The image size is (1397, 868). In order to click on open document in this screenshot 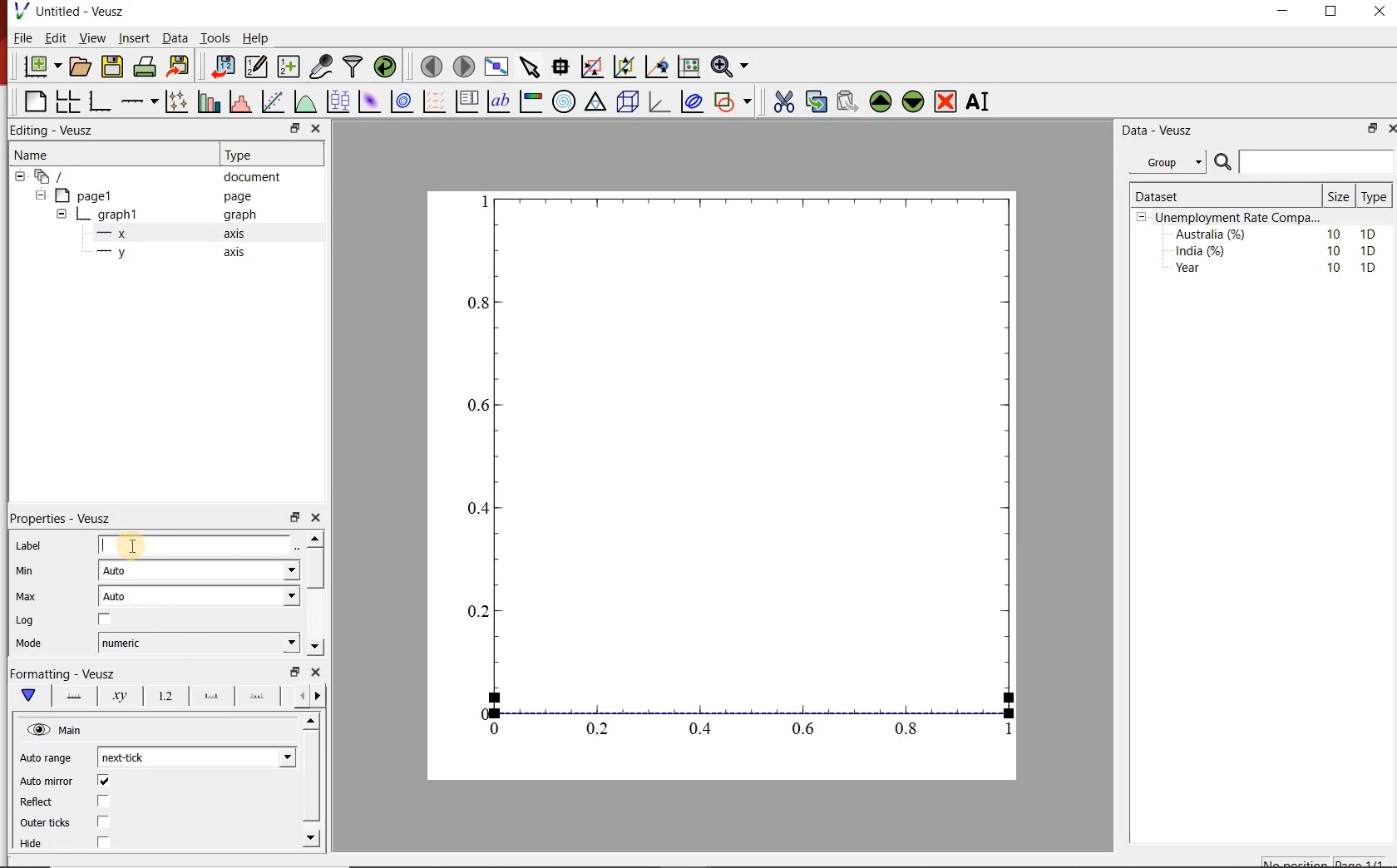, I will do `click(81, 67)`.